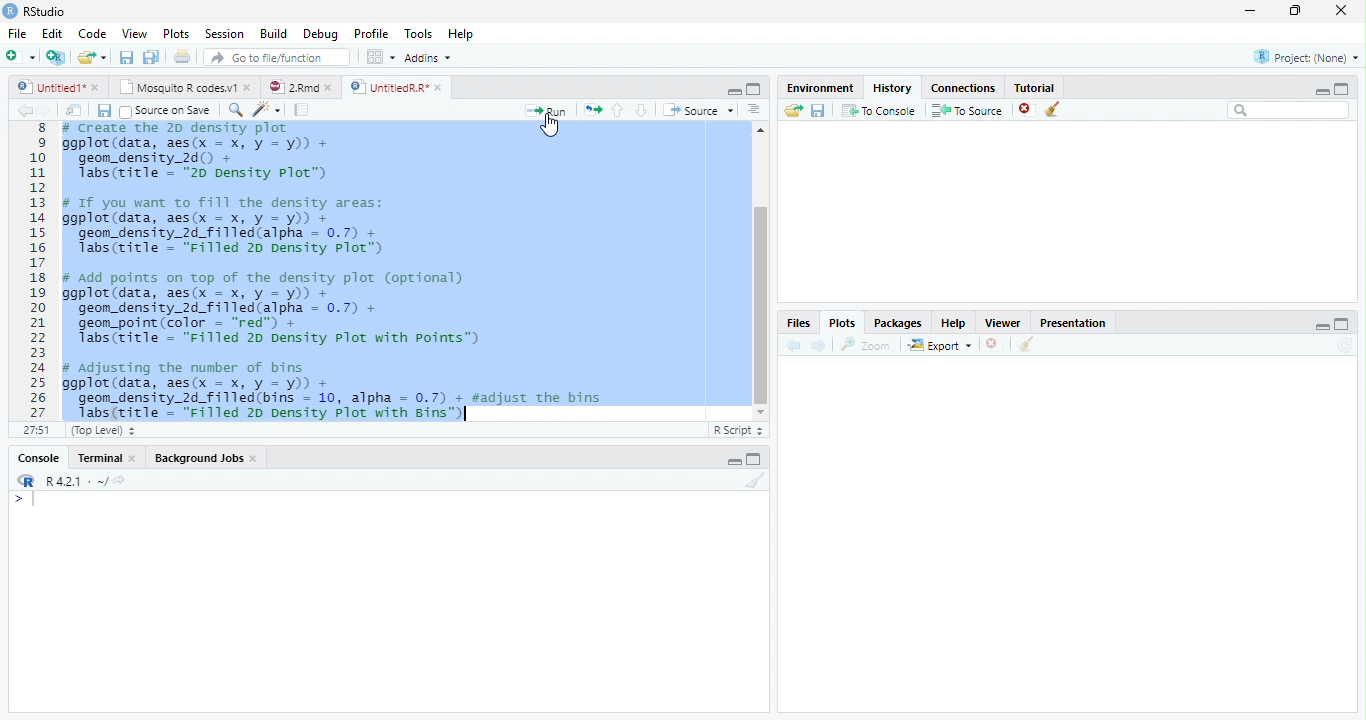 Image resolution: width=1366 pixels, height=720 pixels. Describe the element at coordinates (52, 112) in the screenshot. I see `next` at that location.